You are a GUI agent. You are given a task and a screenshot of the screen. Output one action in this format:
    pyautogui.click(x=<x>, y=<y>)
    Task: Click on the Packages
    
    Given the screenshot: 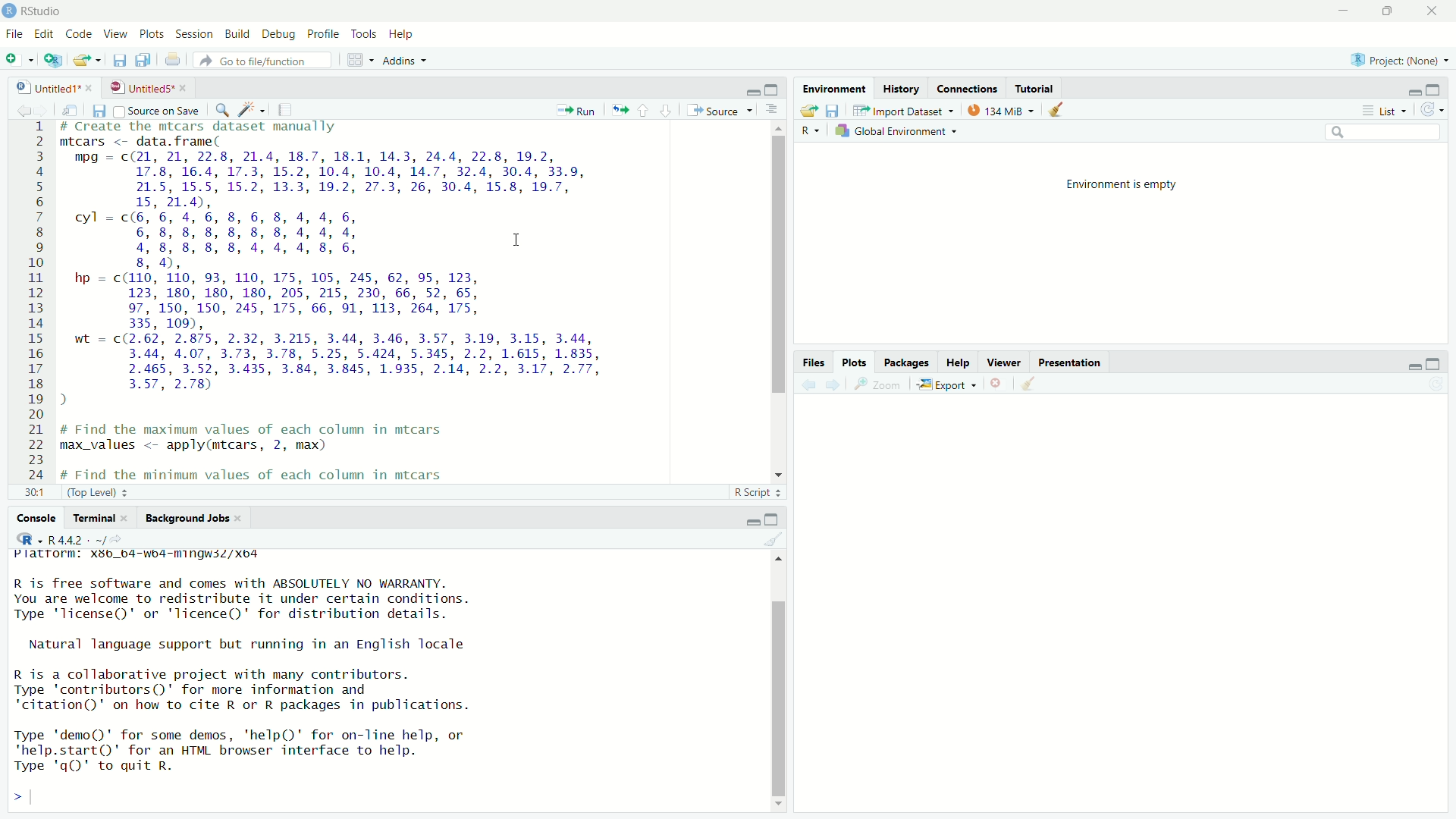 What is the action you would take?
    pyautogui.click(x=903, y=362)
    